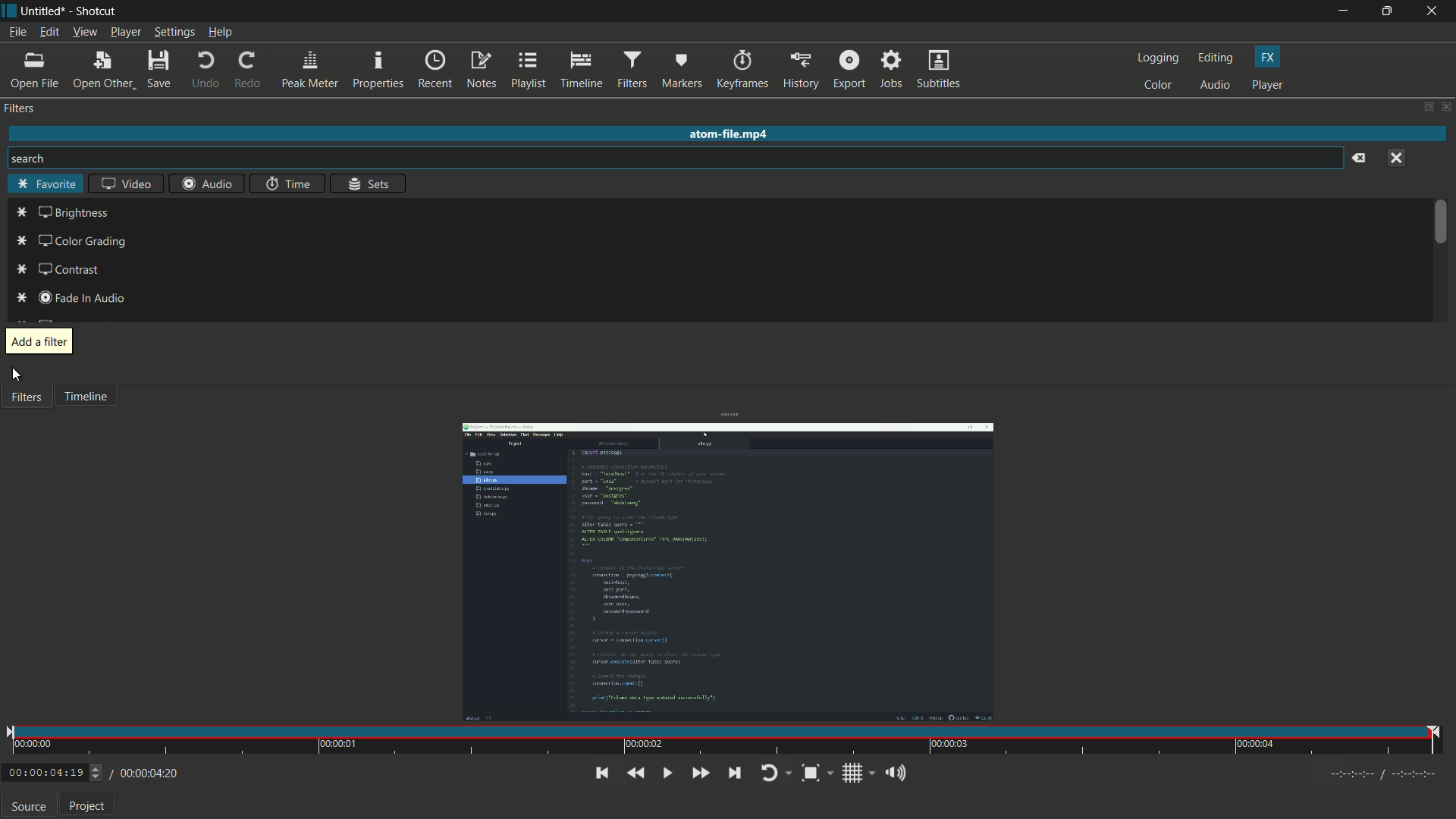  What do you see at coordinates (58, 269) in the screenshot?
I see `contrast` at bounding box center [58, 269].